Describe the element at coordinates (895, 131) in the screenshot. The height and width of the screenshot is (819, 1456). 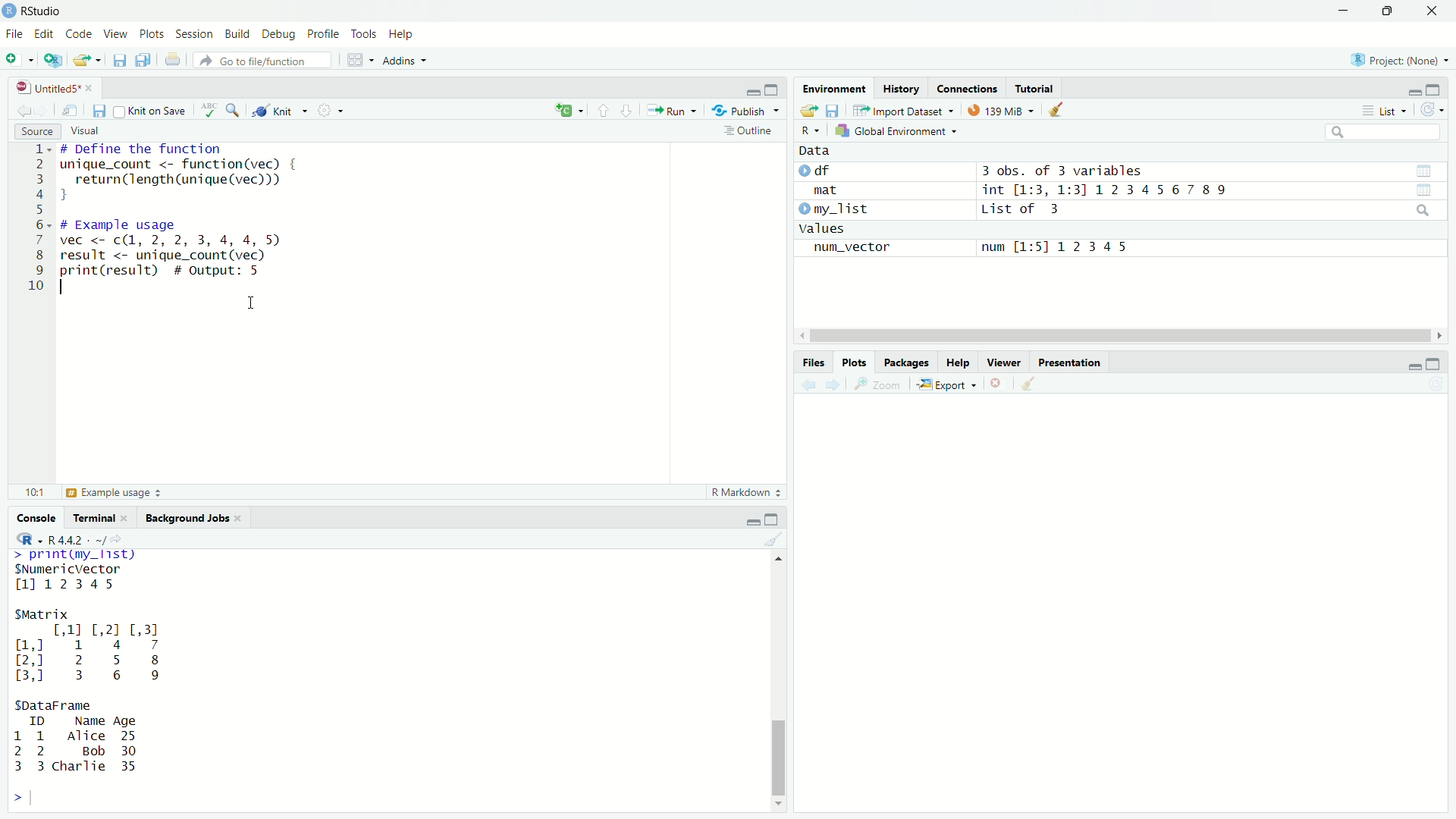
I see `Global Environment` at that location.